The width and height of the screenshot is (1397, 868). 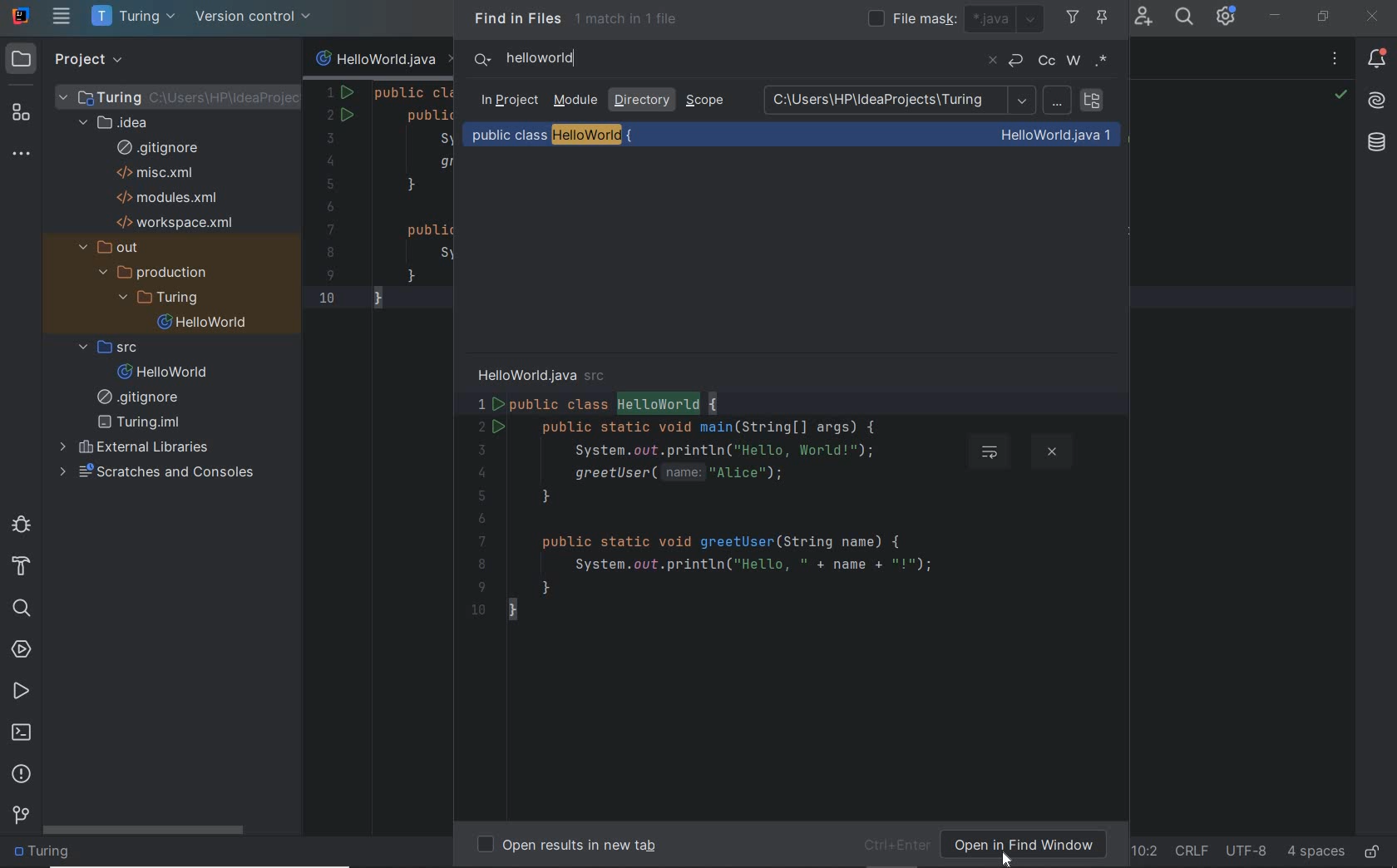 I want to click on w, so click(x=1073, y=60).